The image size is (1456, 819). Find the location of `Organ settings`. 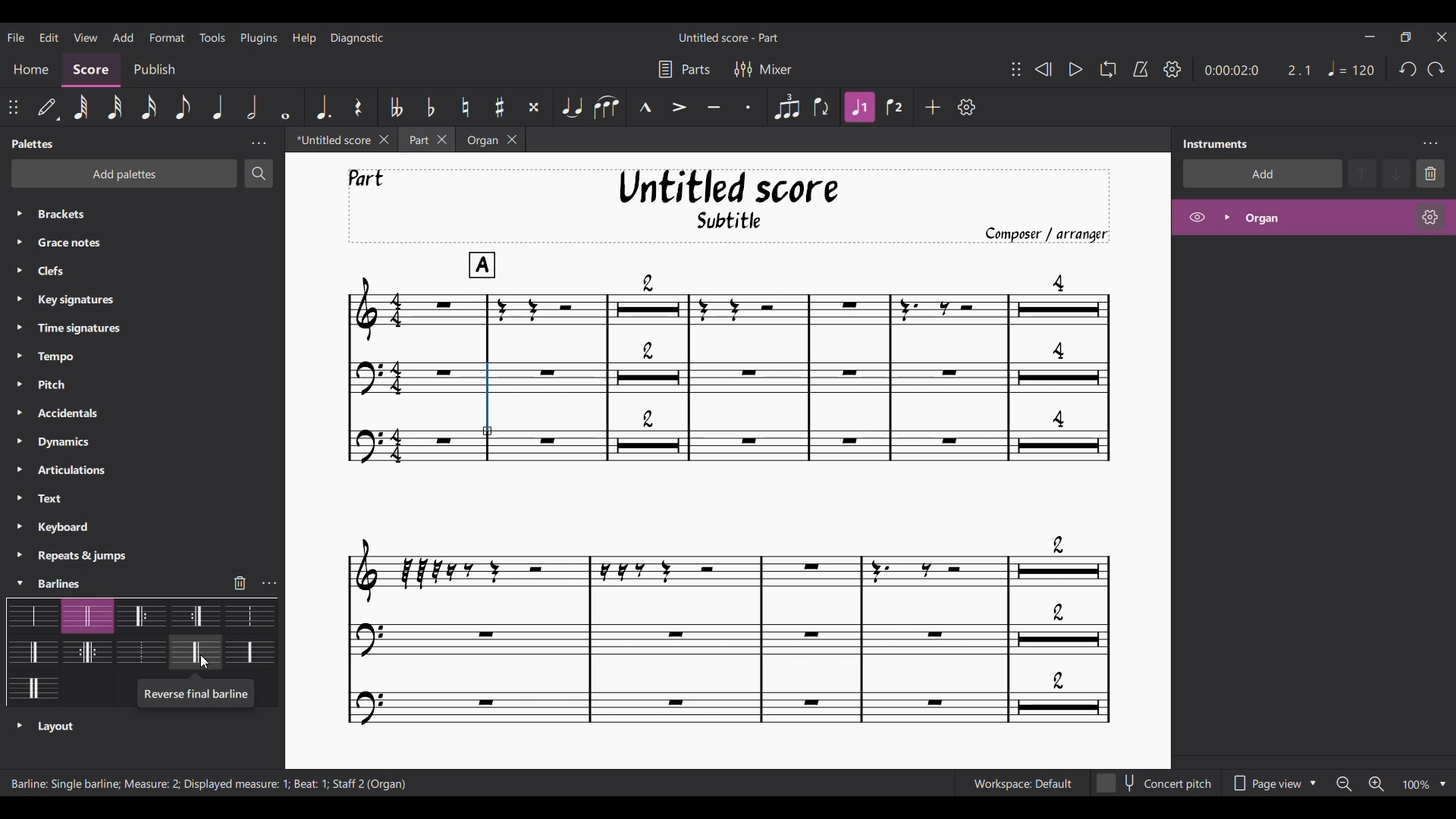

Organ settings is located at coordinates (1430, 217).